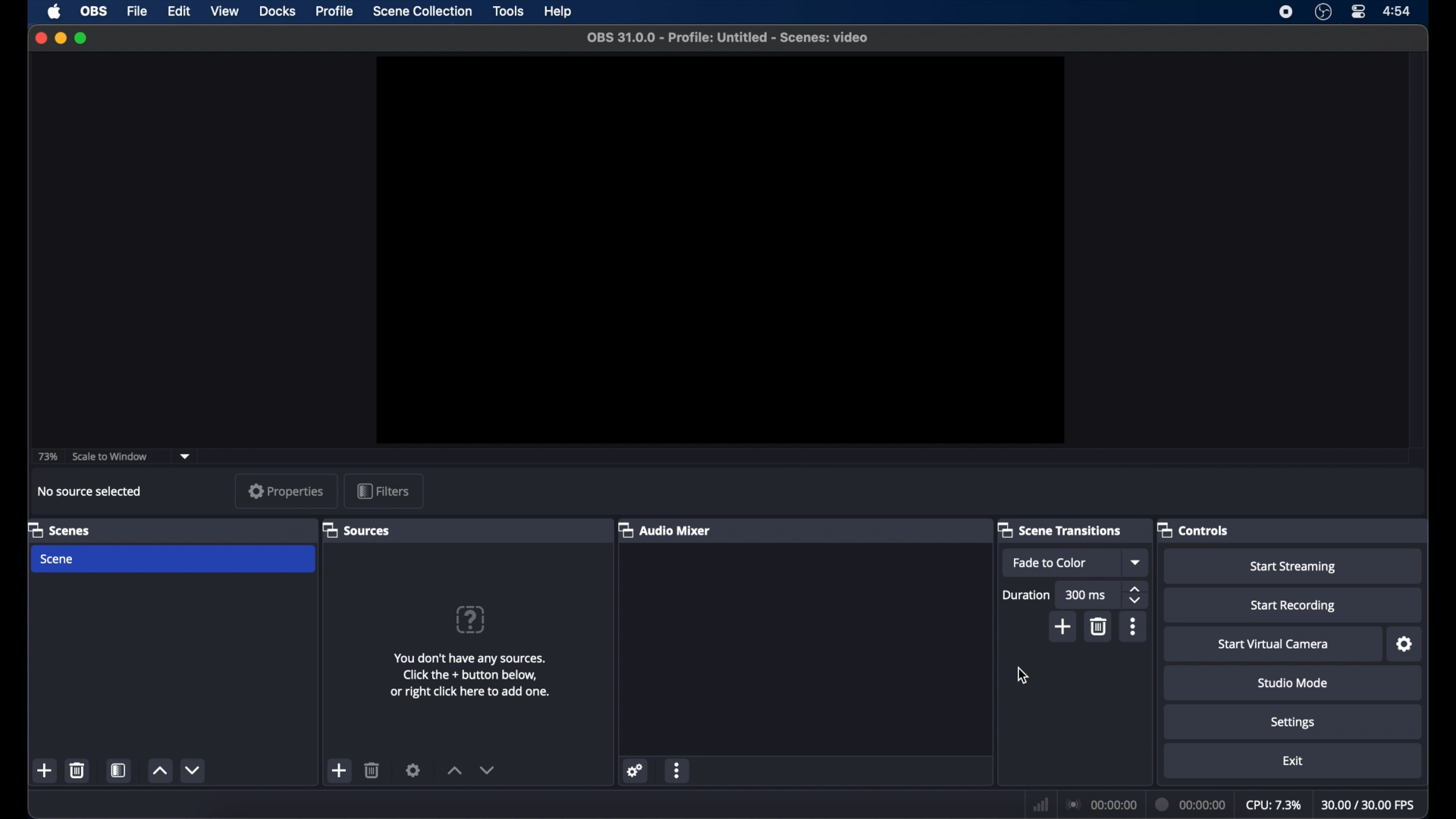 This screenshot has height=819, width=1456. What do you see at coordinates (58, 529) in the screenshot?
I see `scenes` at bounding box center [58, 529].